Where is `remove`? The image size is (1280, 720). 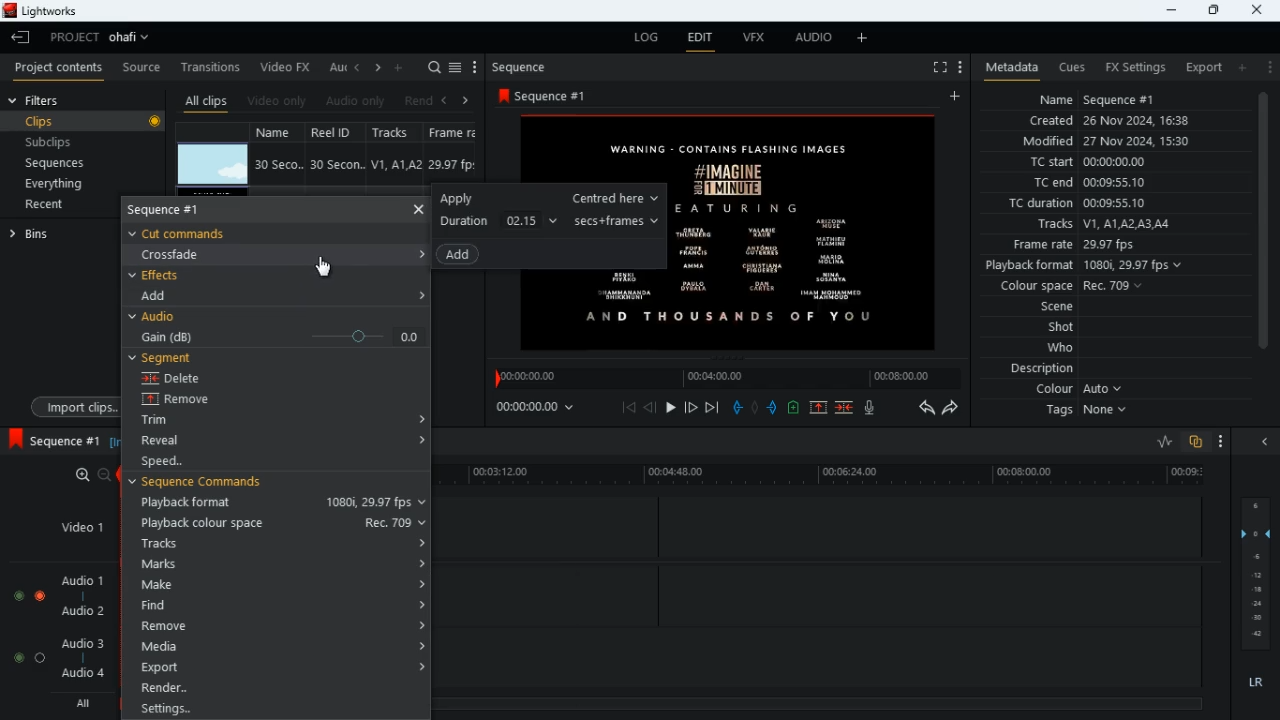 remove is located at coordinates (192, 400).